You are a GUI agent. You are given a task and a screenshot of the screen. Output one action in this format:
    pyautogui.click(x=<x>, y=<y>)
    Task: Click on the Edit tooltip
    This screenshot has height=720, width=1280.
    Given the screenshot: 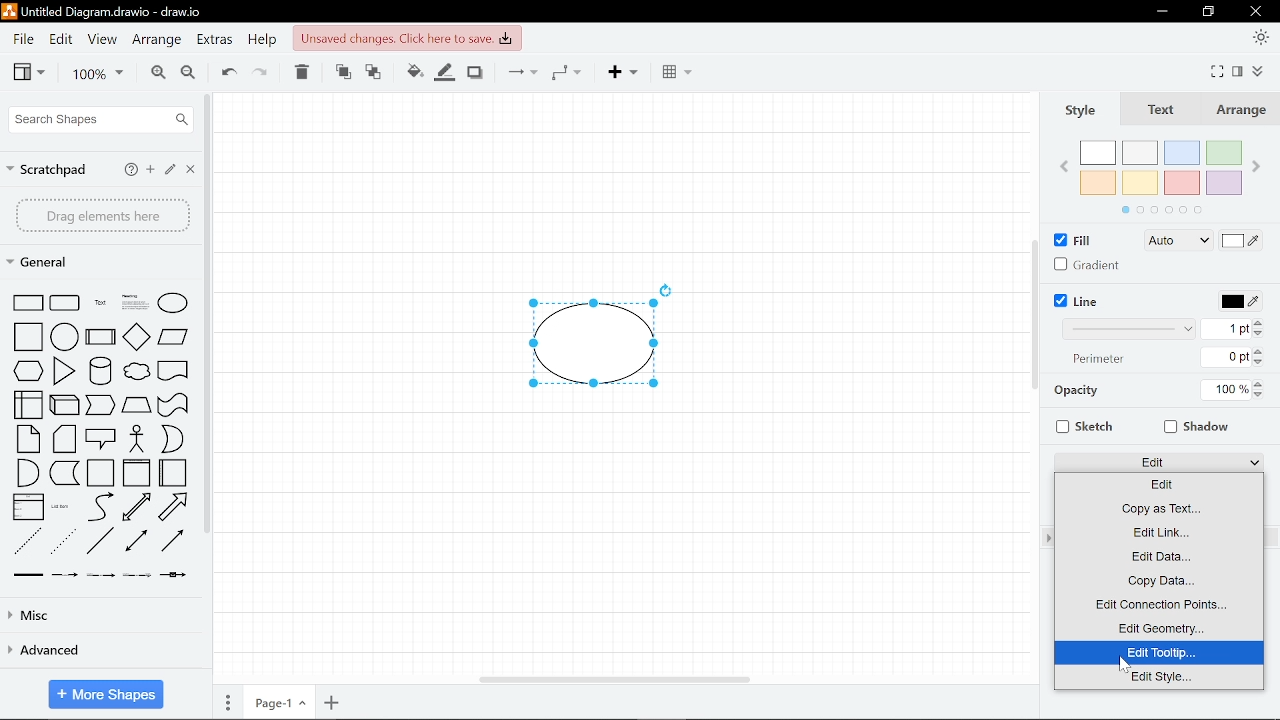 What is the action you would take?
    pyautogui.click(x=1159, y=653)
    